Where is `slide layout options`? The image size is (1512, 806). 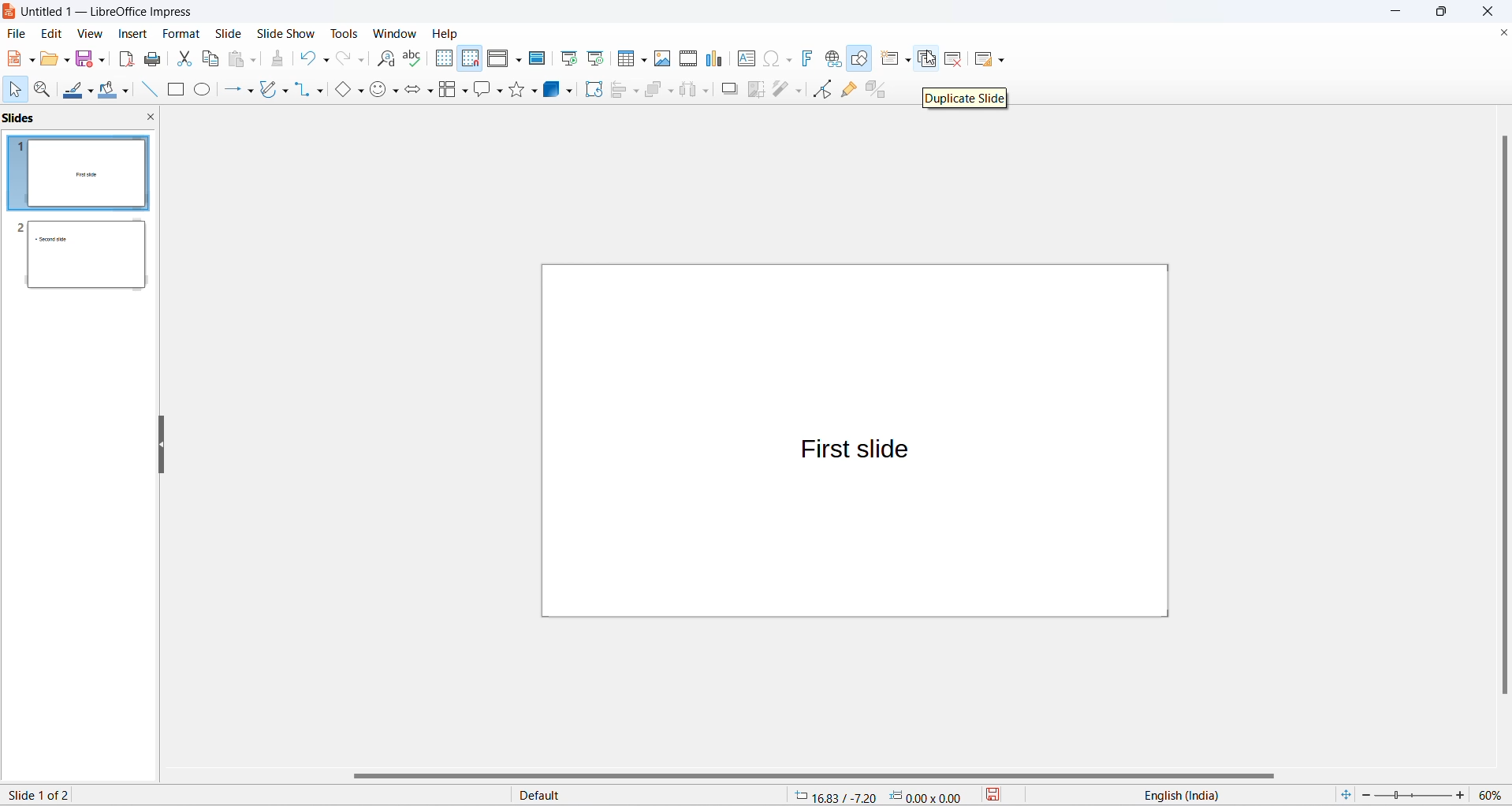
slide layout options is located at coordinates (1001, 58).